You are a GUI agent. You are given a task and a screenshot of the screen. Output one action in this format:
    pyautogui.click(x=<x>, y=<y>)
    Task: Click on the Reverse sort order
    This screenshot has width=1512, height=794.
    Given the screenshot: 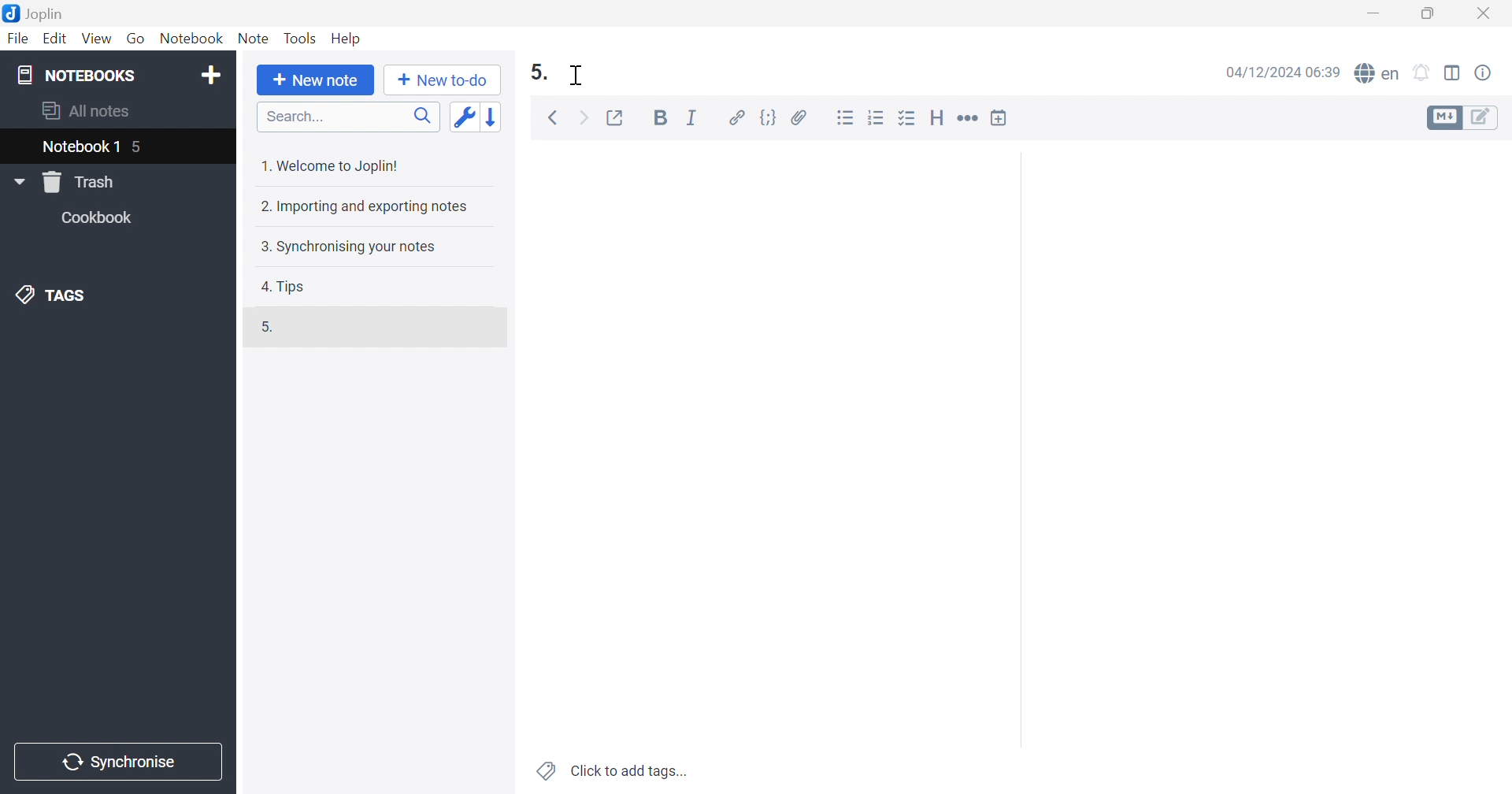 What is the action you would take?
    pyautogui.click(x=495, y=117)
    